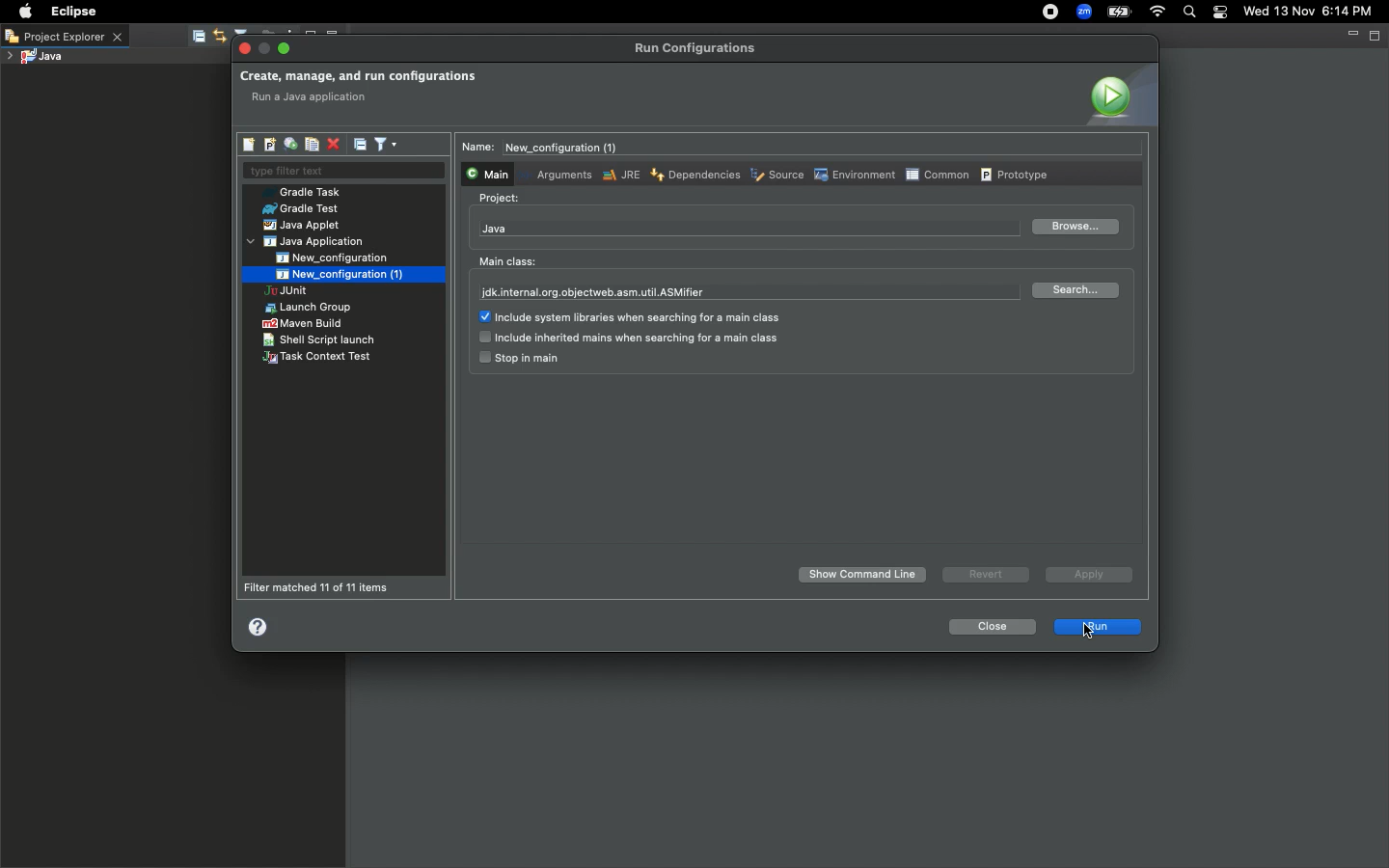 The image size is (1389, 868). What do you see at coordinates (311, 308) in the screenshot?
I see `Launch group` at bounding box center [311, 308].